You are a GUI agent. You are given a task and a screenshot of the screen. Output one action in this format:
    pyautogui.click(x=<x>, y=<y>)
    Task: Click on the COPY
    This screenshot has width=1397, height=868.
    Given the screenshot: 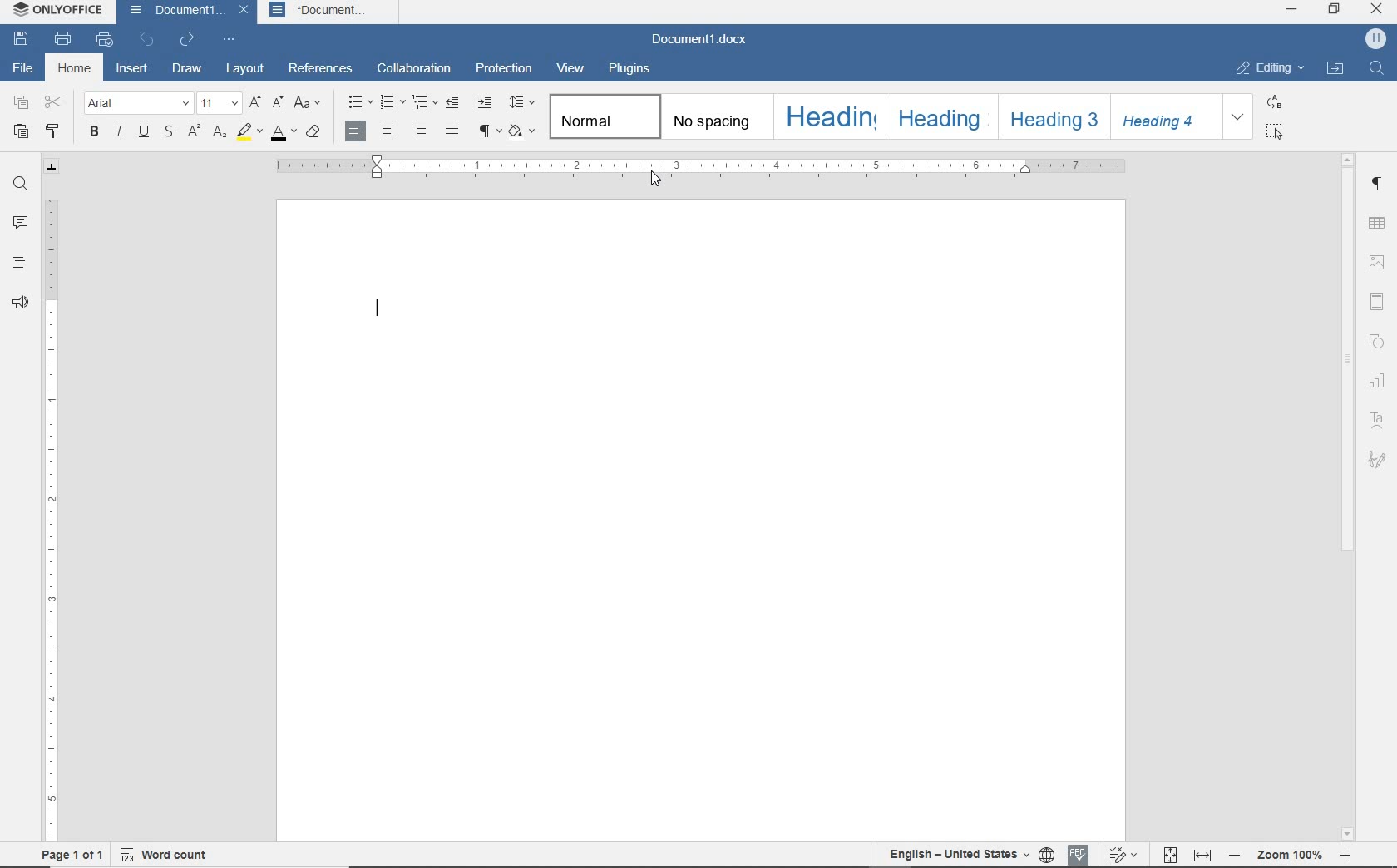 What is the action you would take?
    pyautogui.click(x=22, y=102)
    